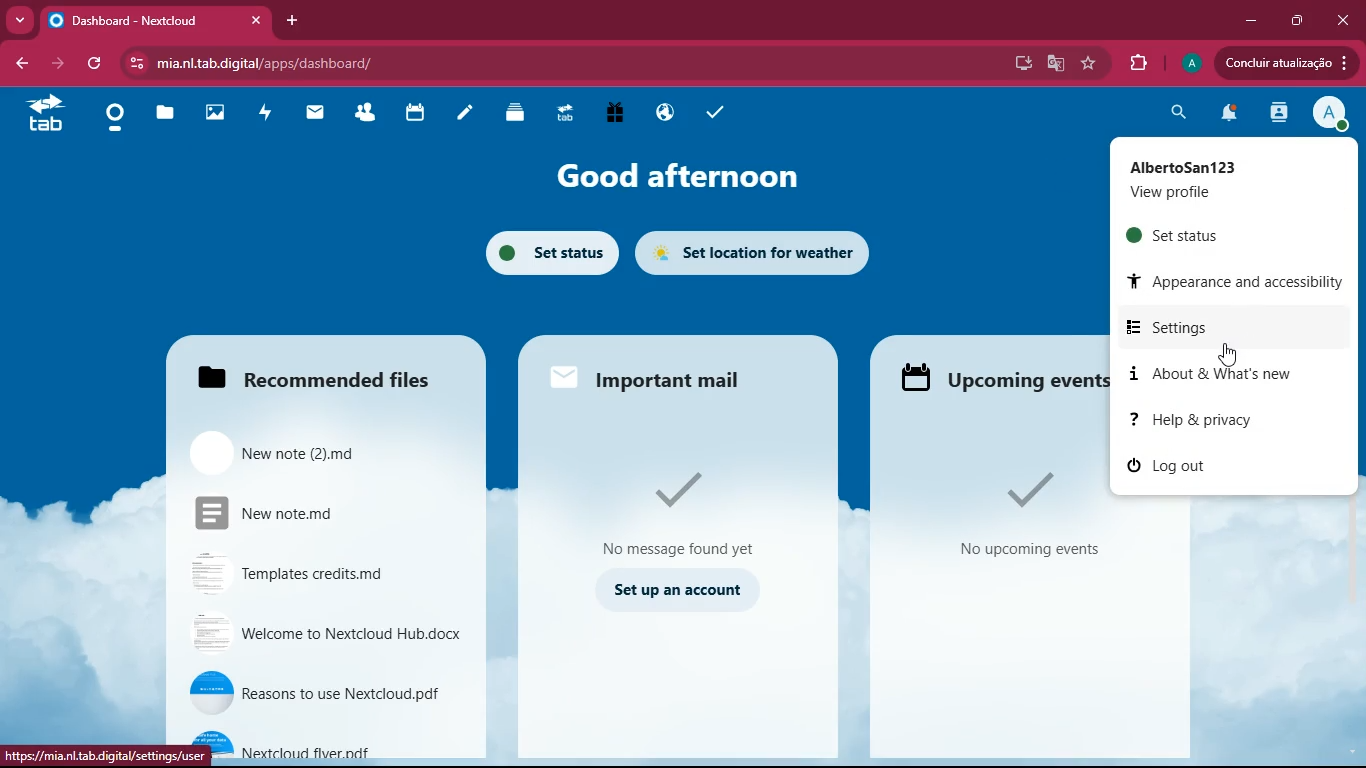  What do you see at coordinates (661, 111) in the screenshot?
I see `public` at bounding box center [661, 111].